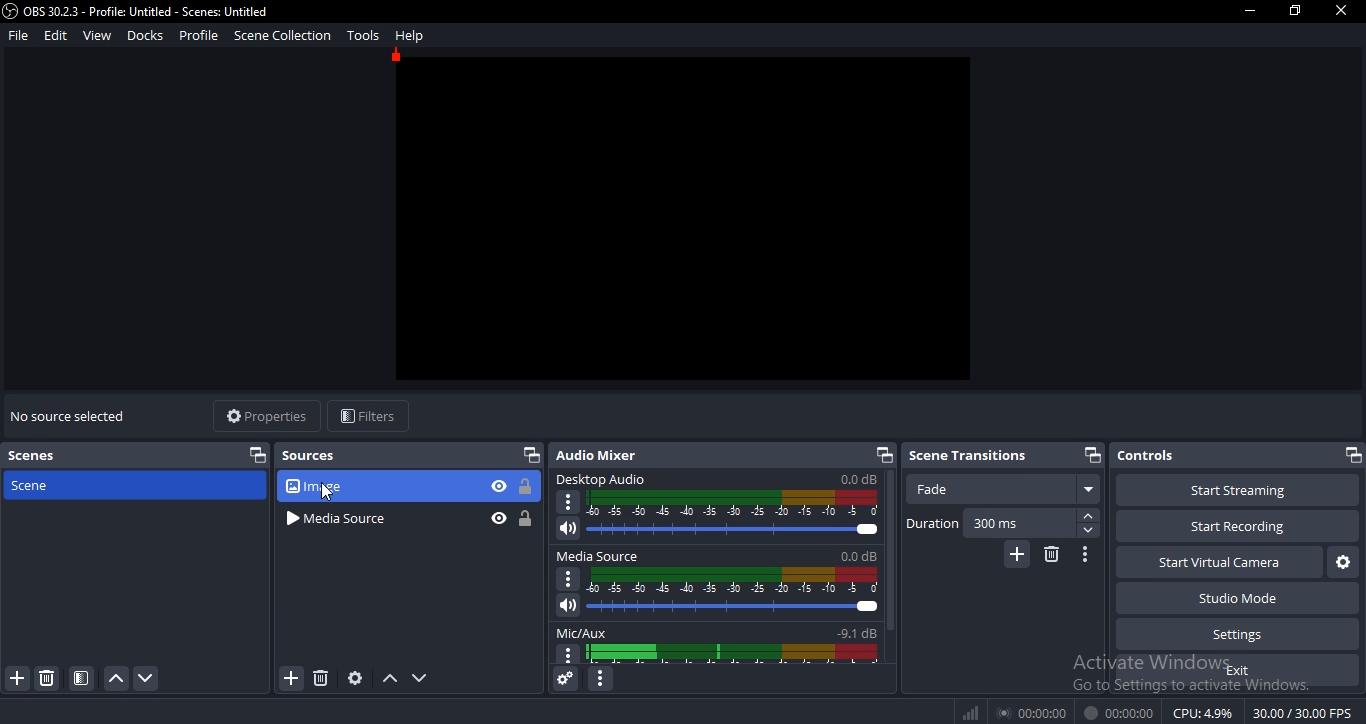 Image resolution: width=1366 pixels, height=724 pixels. What do you see at coordinates (1019, 554) in the screenshot?
I see `add scene transition` at bounding box center [1019, 554].